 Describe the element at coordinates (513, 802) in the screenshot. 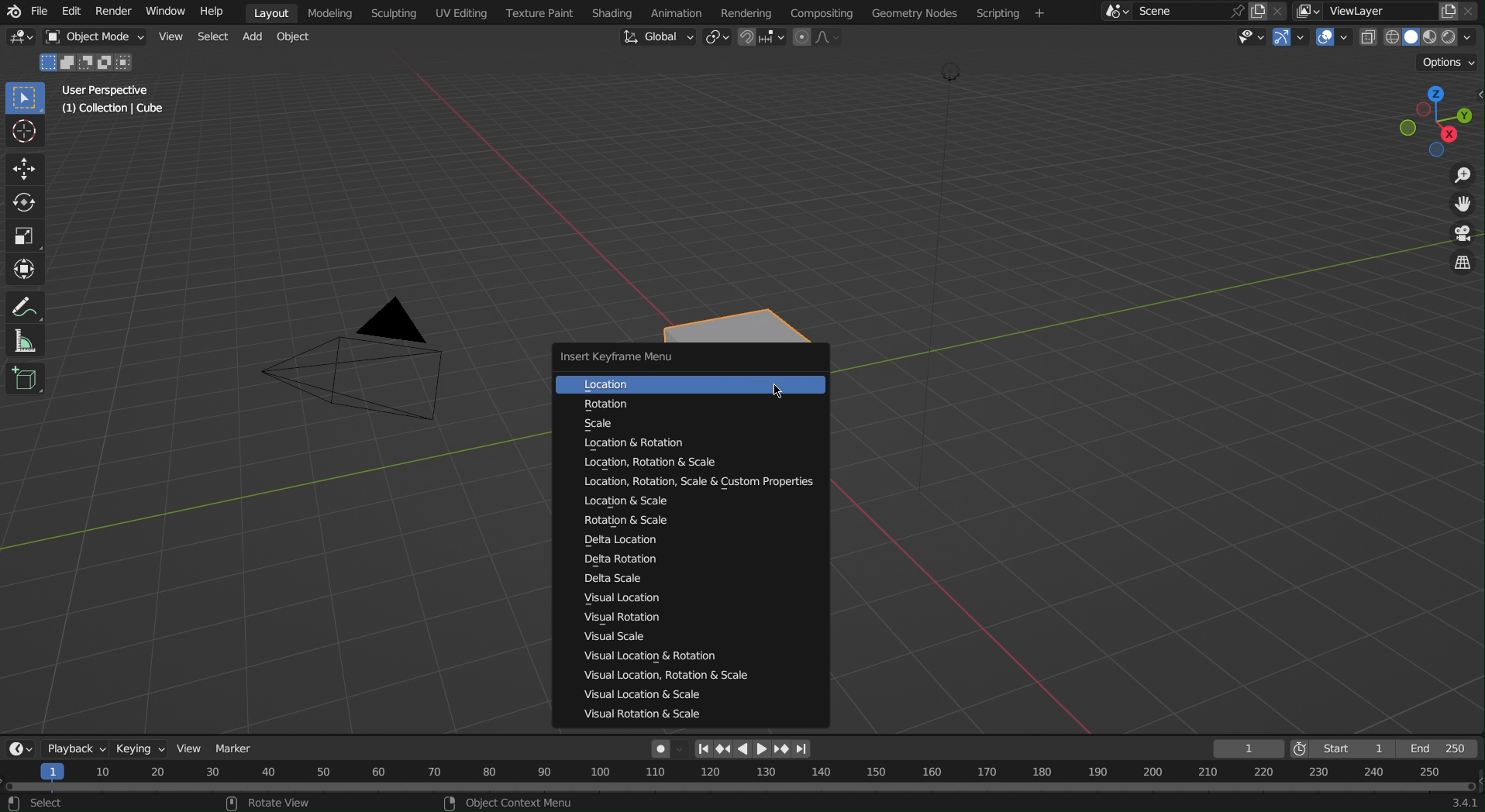

I see `object context menu` at that location.